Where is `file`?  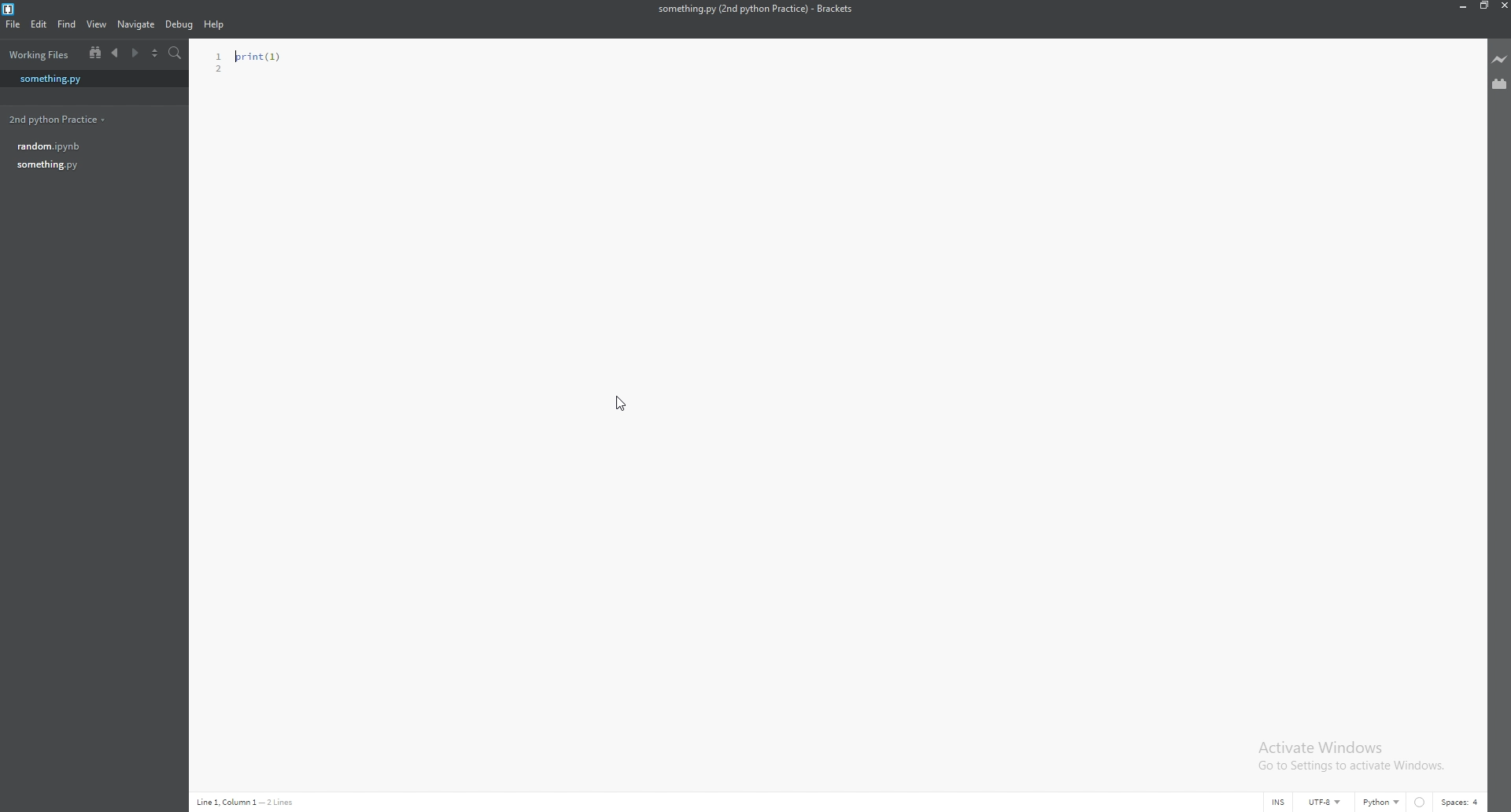
file is located at coordinates (13, 24).